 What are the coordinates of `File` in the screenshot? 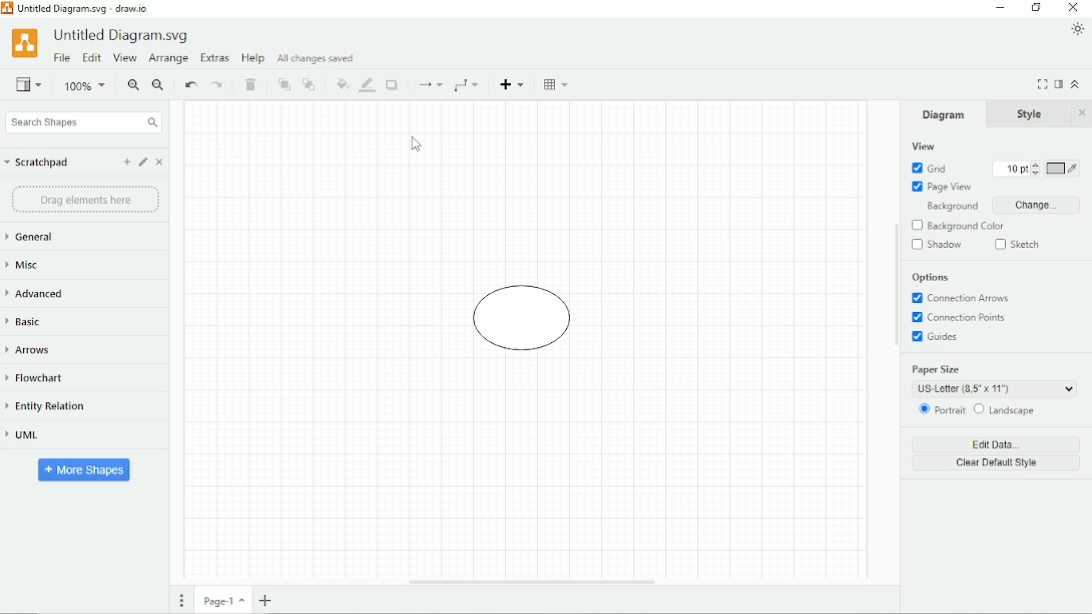 It's located at (63, 57).